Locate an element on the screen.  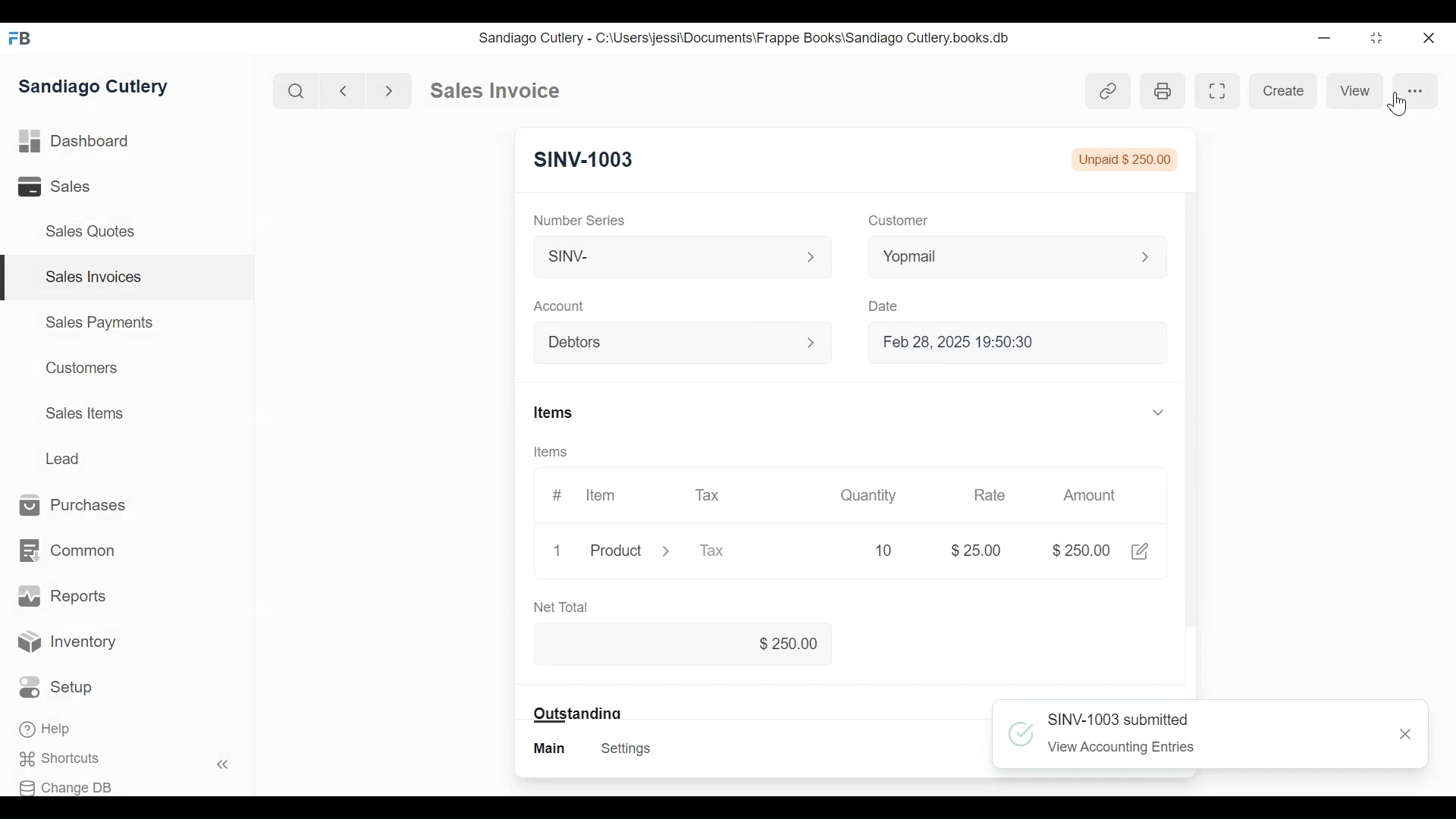
Sandiago Cutlery is located at coordinates (98, 86).